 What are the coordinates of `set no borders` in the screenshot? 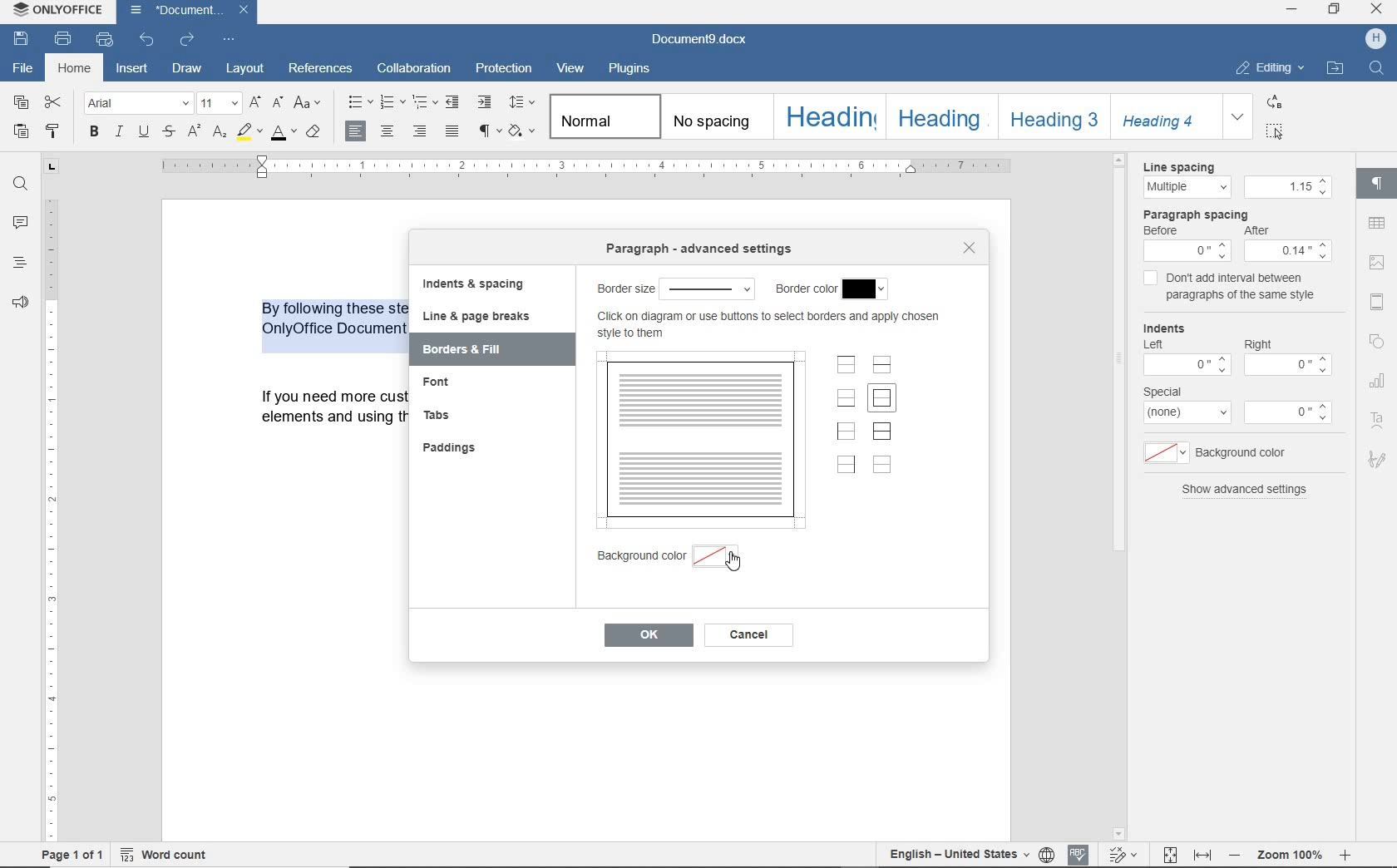 It's located at (883, 466).